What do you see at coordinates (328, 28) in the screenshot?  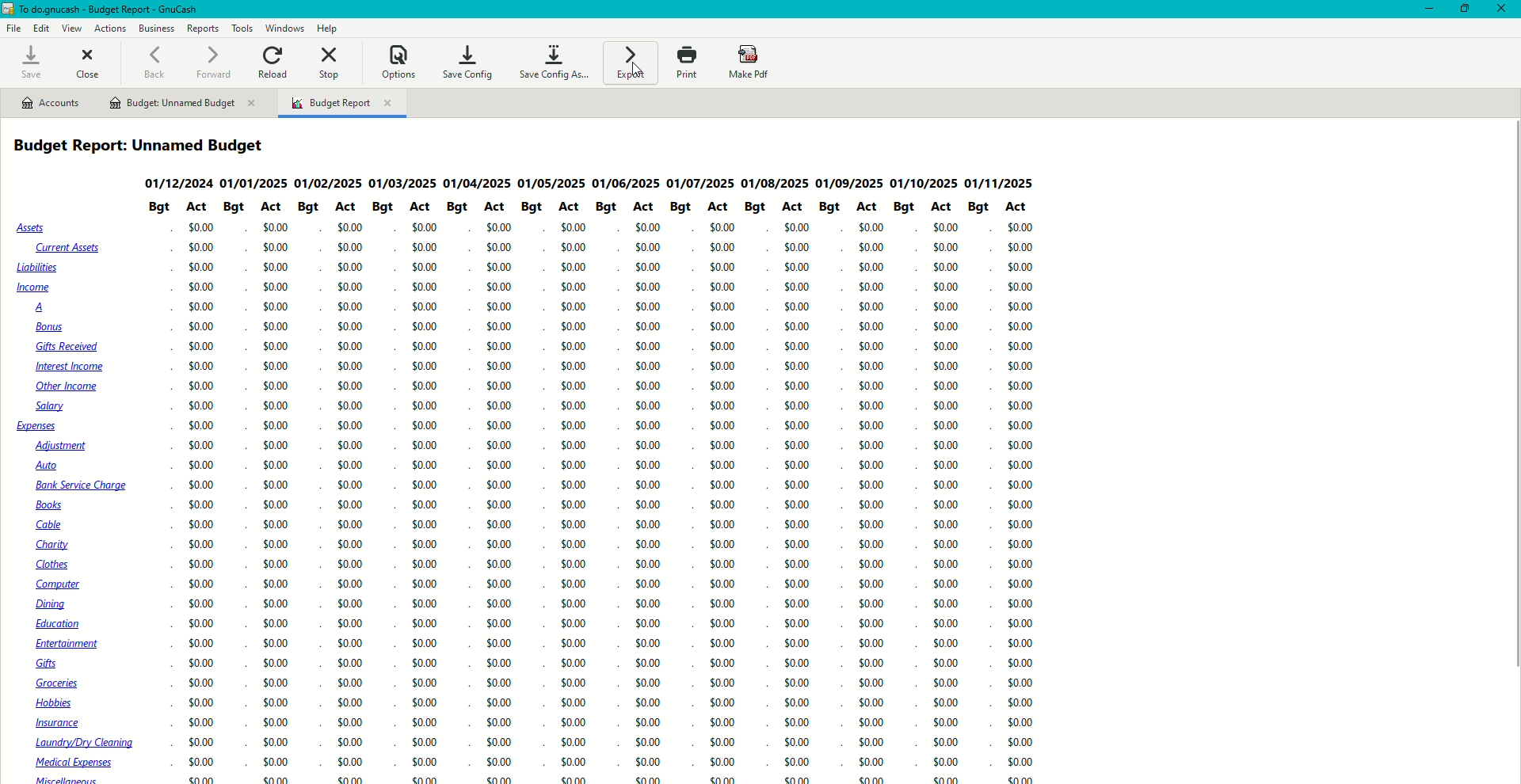 I see `Help` at bounding box center [328, 28].